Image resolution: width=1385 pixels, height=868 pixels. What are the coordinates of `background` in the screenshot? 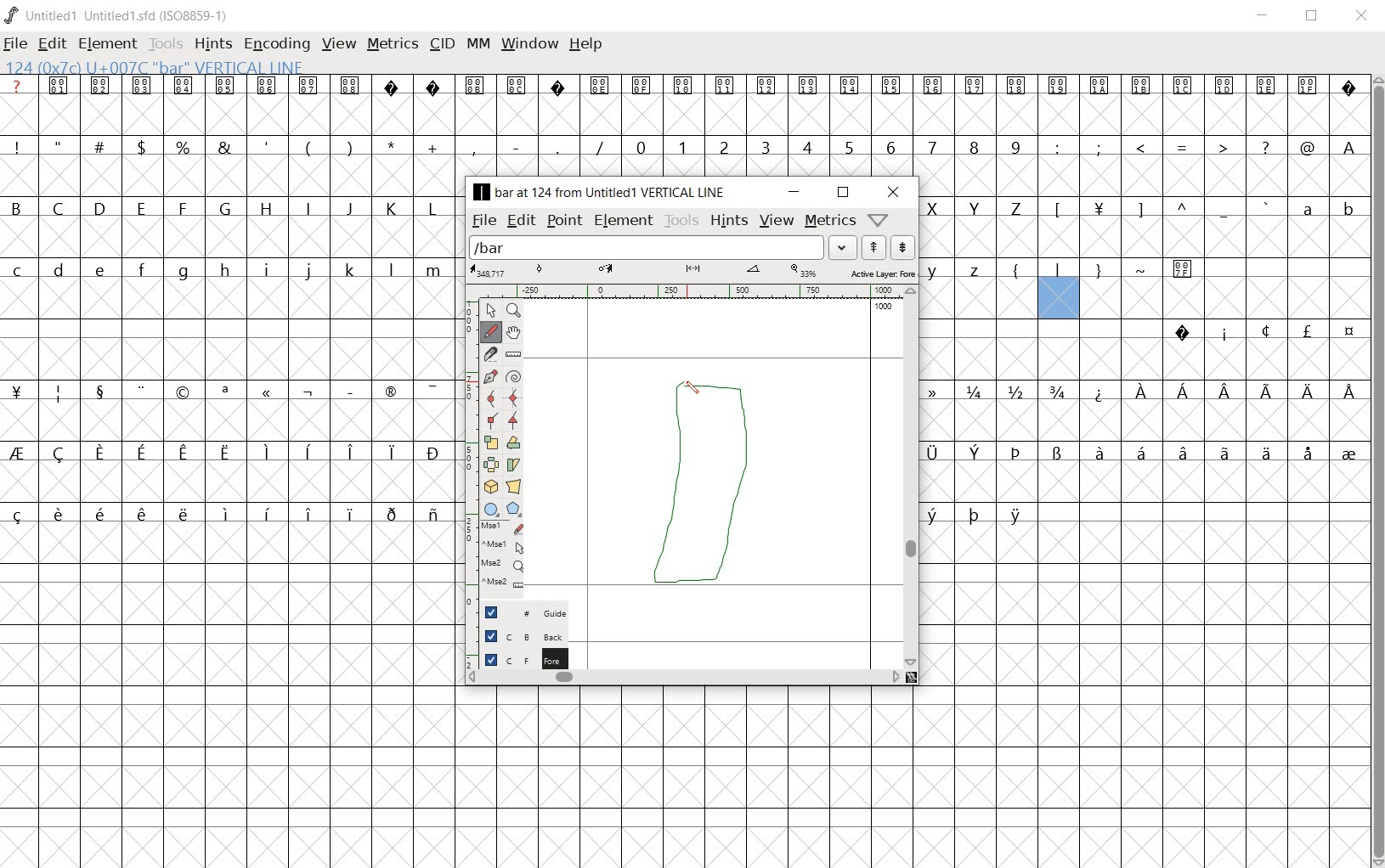 It's located at (516, 635).